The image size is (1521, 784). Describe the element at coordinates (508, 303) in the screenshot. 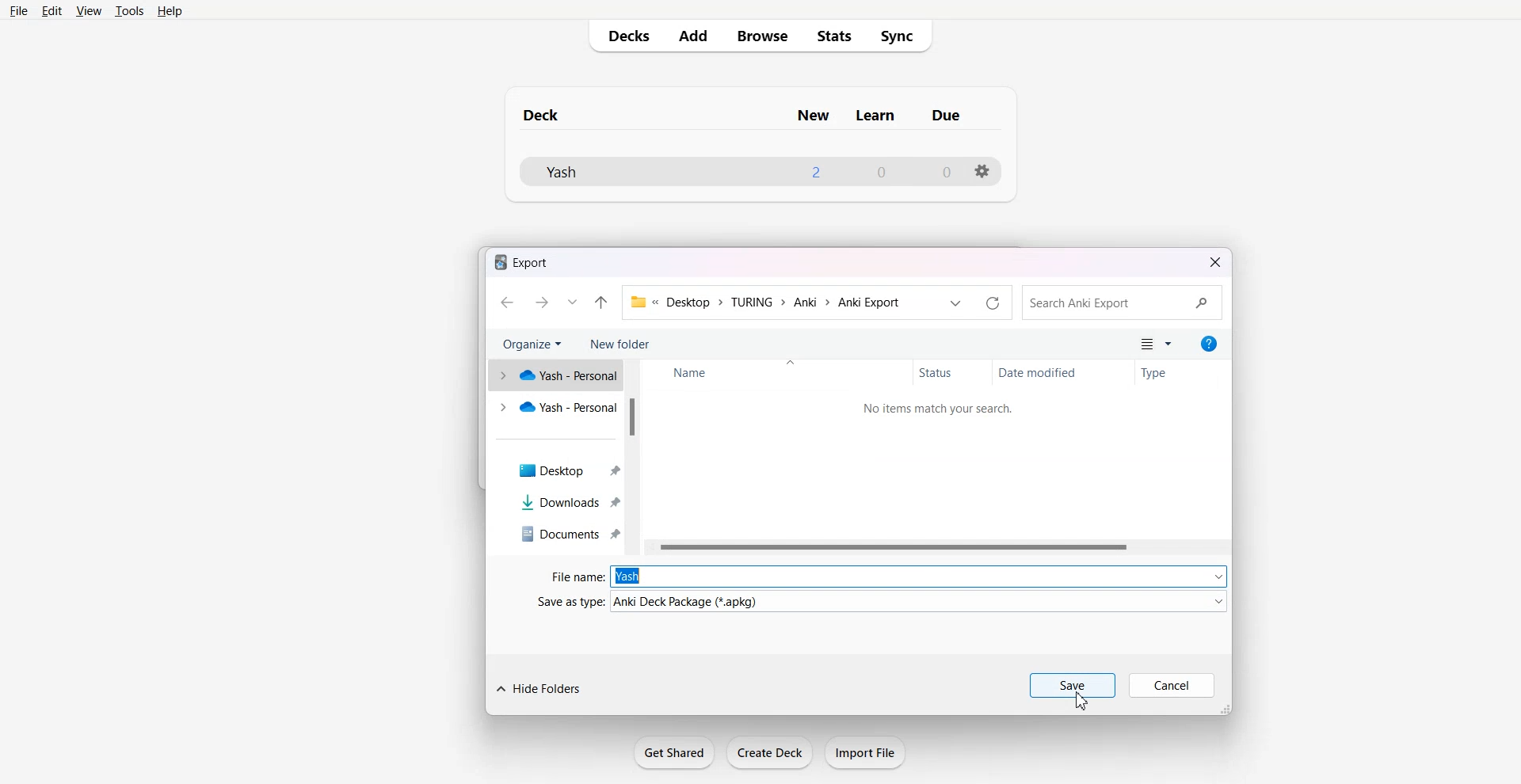

I see `Go Back` at that location.